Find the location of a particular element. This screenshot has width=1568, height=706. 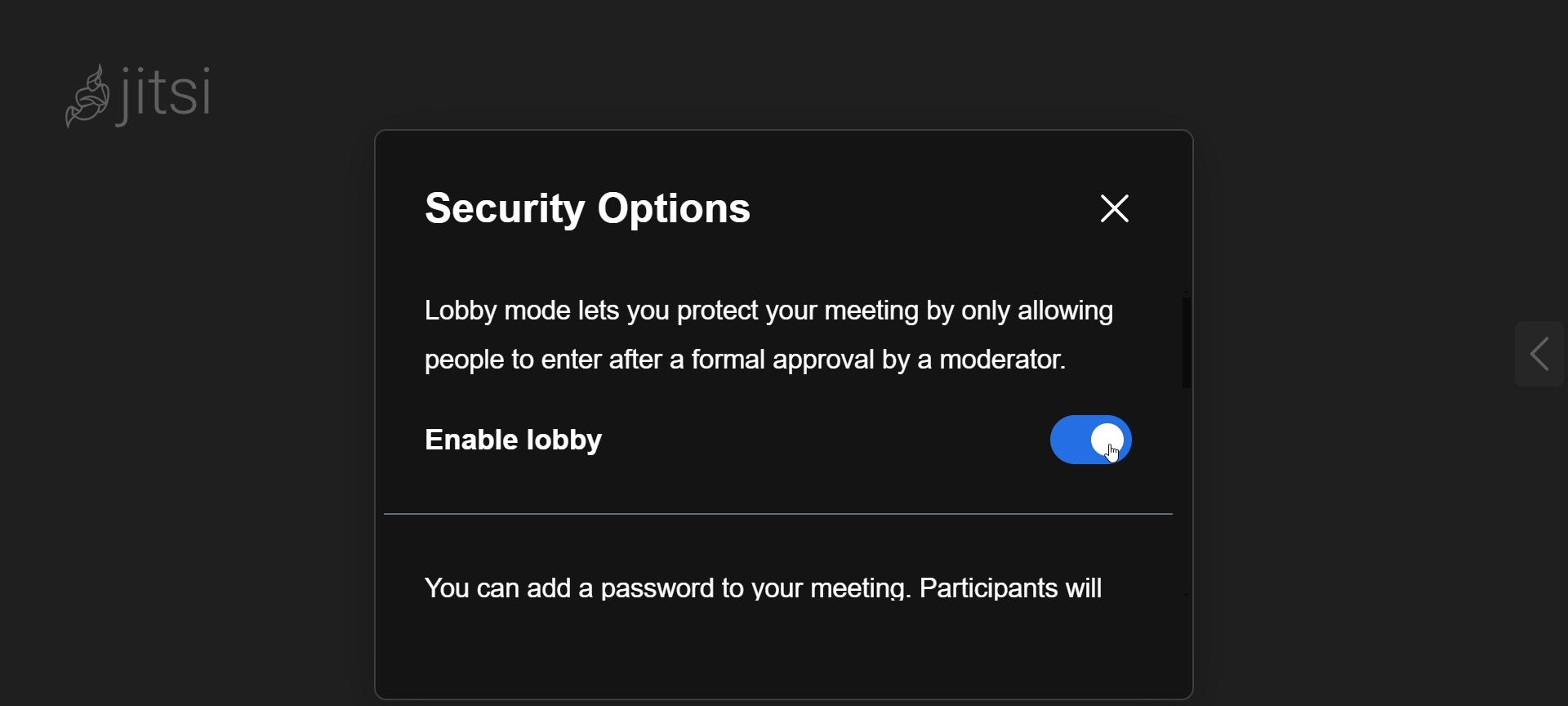

Lobby mode lets you protect your meeting by only allowing
people to enter after a formal approval by a moderator. is located at coordinates (766, 337).